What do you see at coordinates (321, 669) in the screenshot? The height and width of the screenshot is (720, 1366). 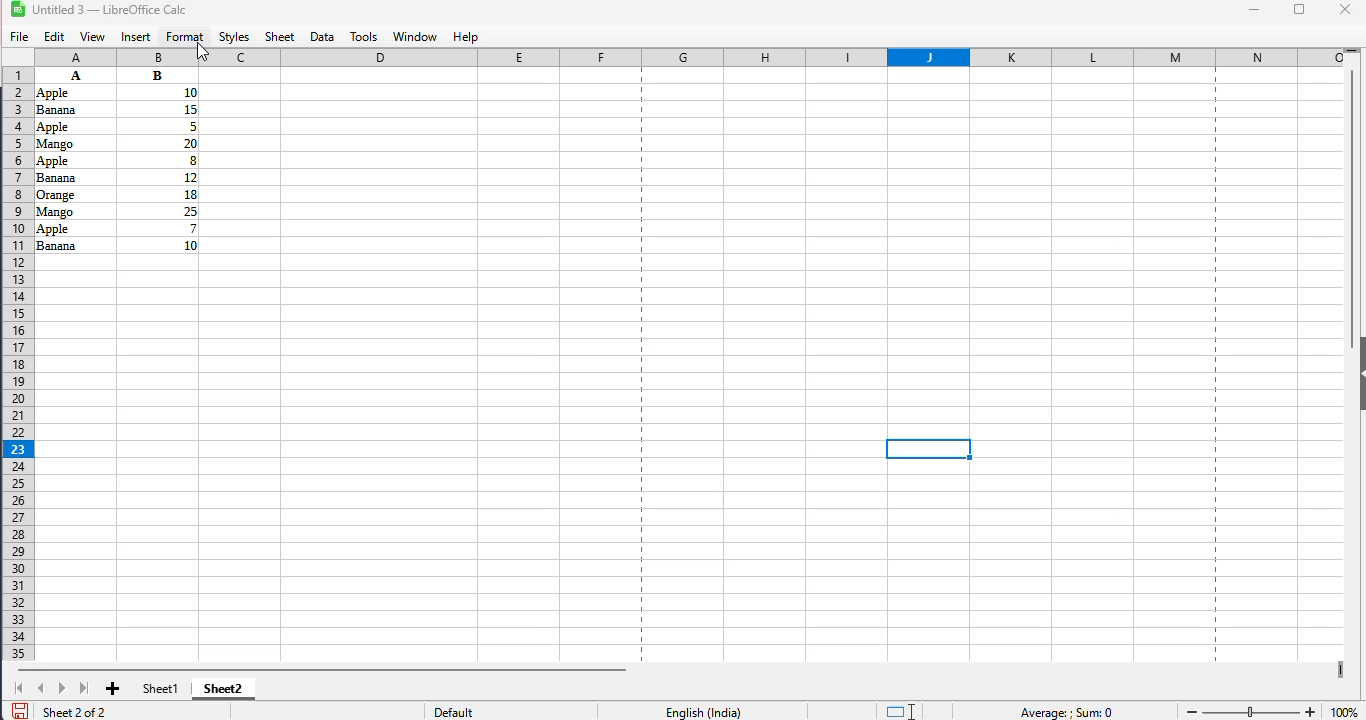 I see `horizontal scrollbar` at bounding box center [321, 669].